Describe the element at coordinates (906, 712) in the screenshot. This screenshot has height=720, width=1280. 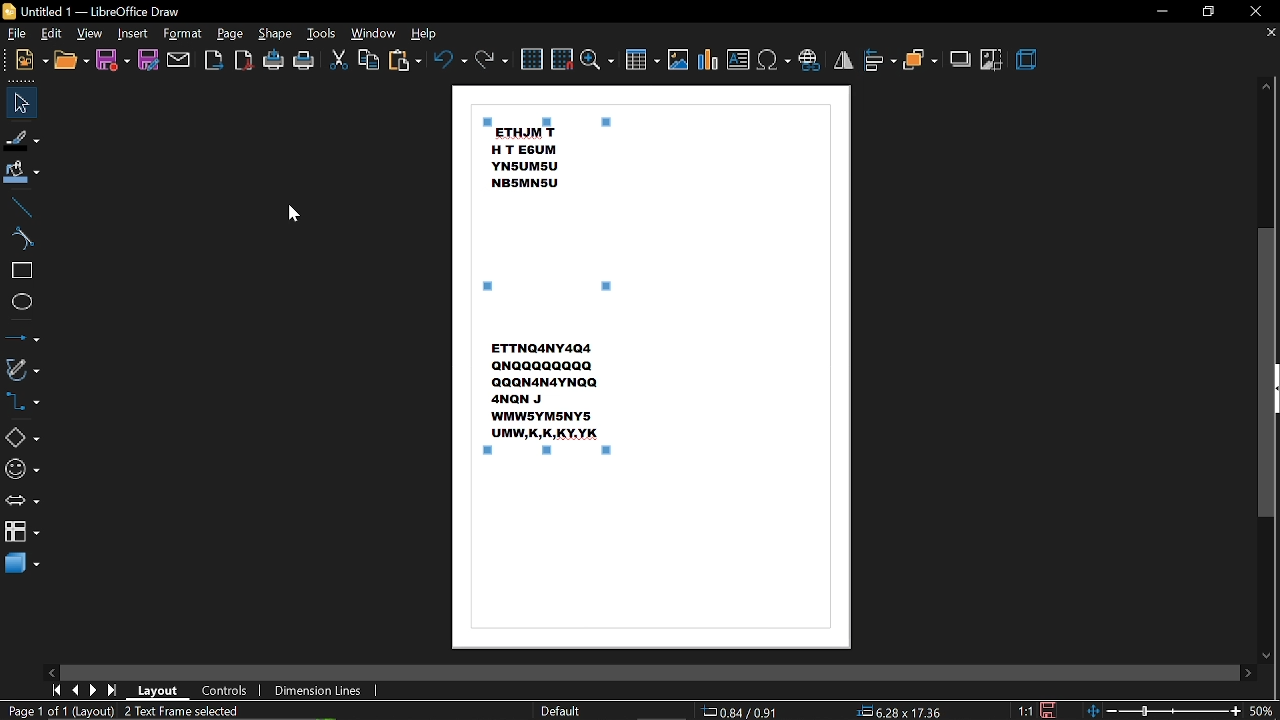
I see `6.20x17.36` at that location.